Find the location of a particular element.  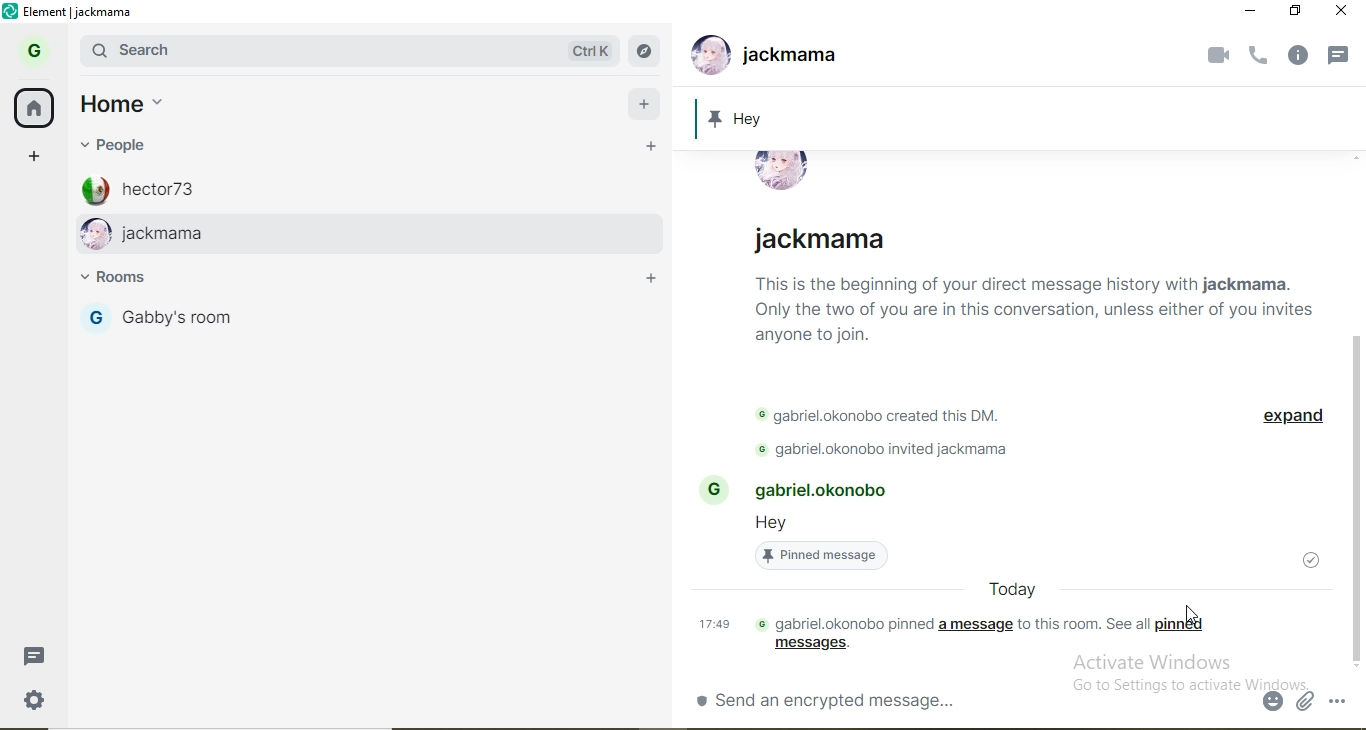

search bar is located at coordinates (308, 50).